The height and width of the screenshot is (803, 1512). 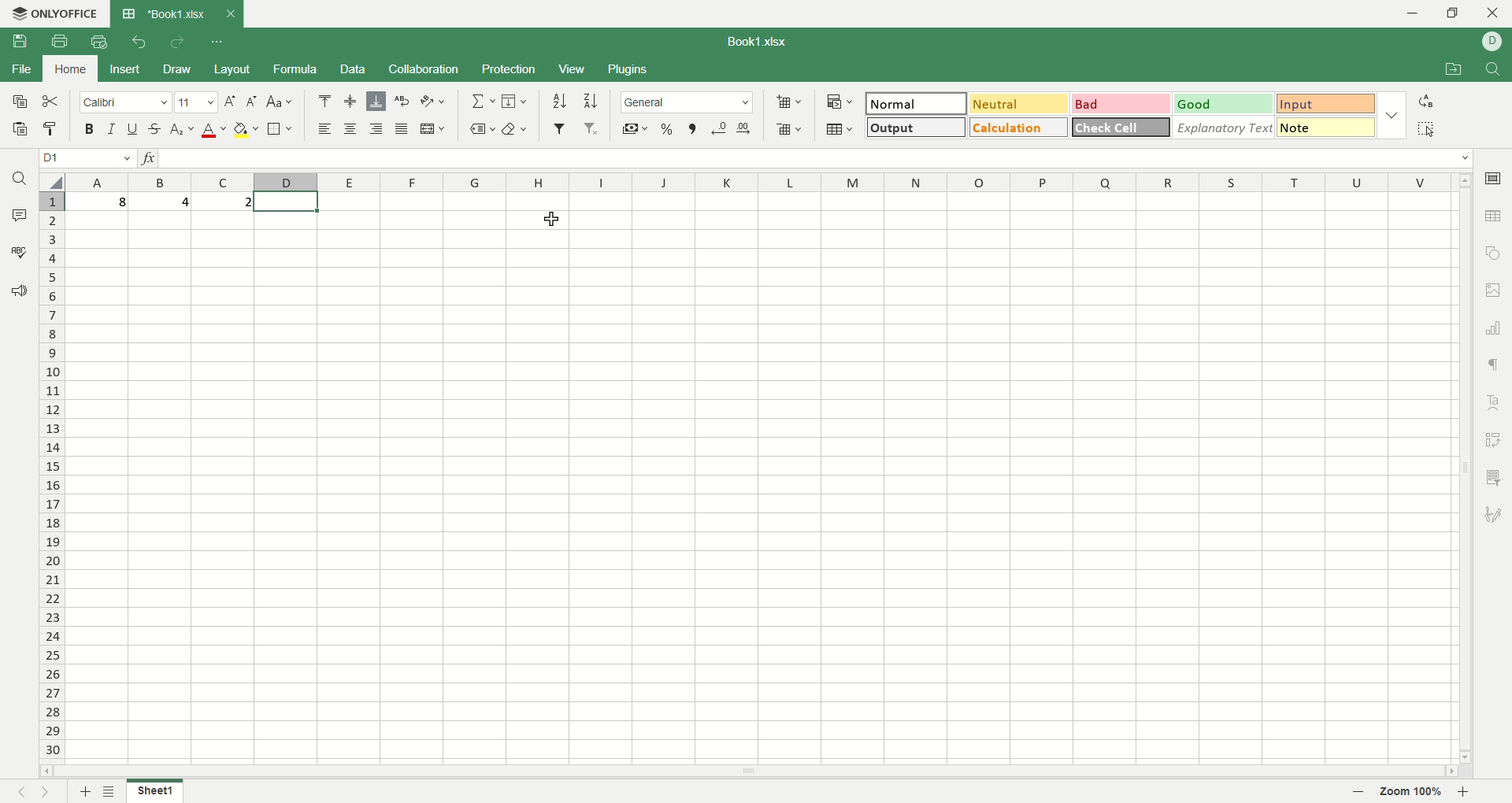 I want to click on note, so click(x=1326, y=127).